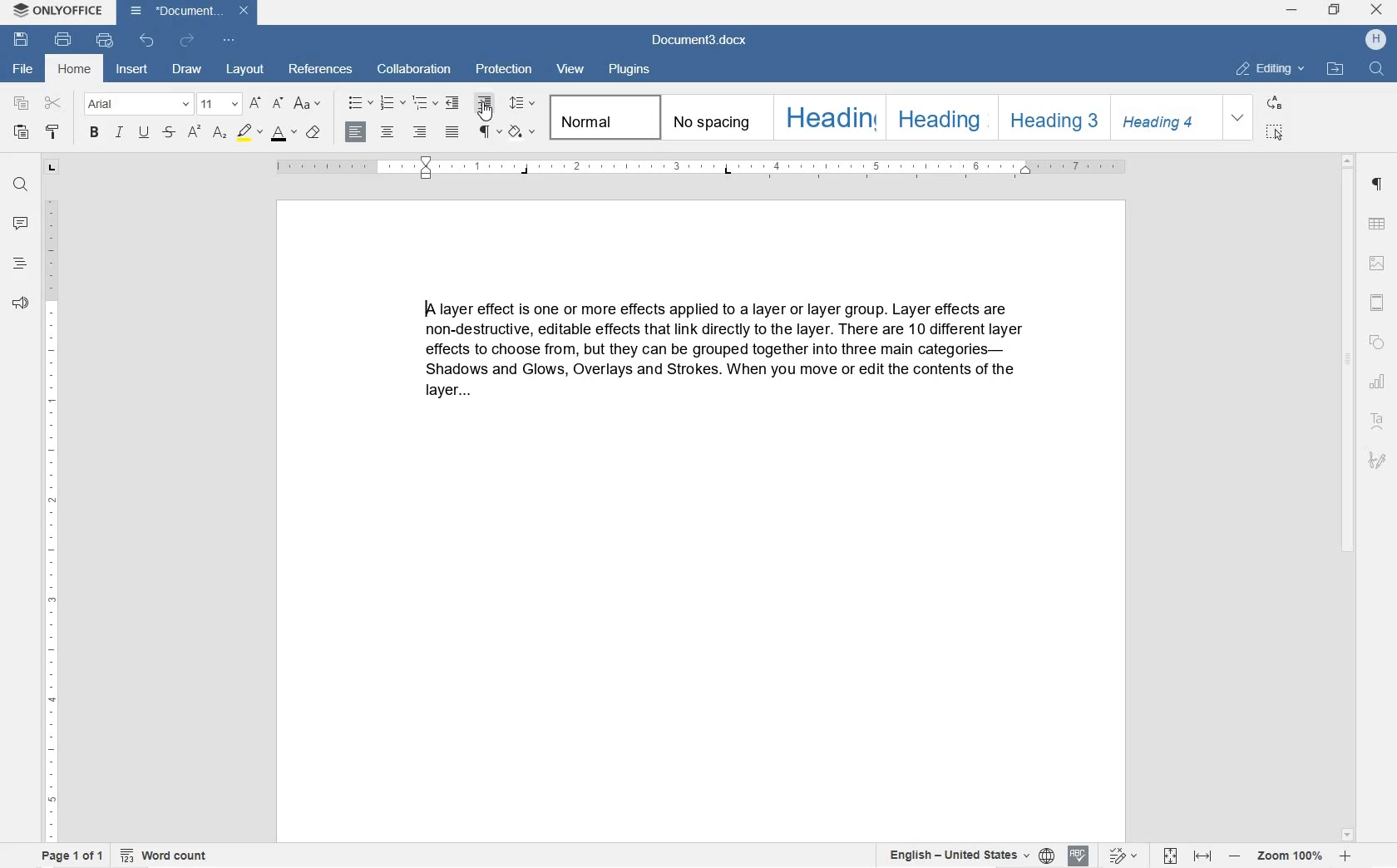  Describe the element at coordinates (1274, 131) in the screenshot. I see `SELECT ALL` at that location.